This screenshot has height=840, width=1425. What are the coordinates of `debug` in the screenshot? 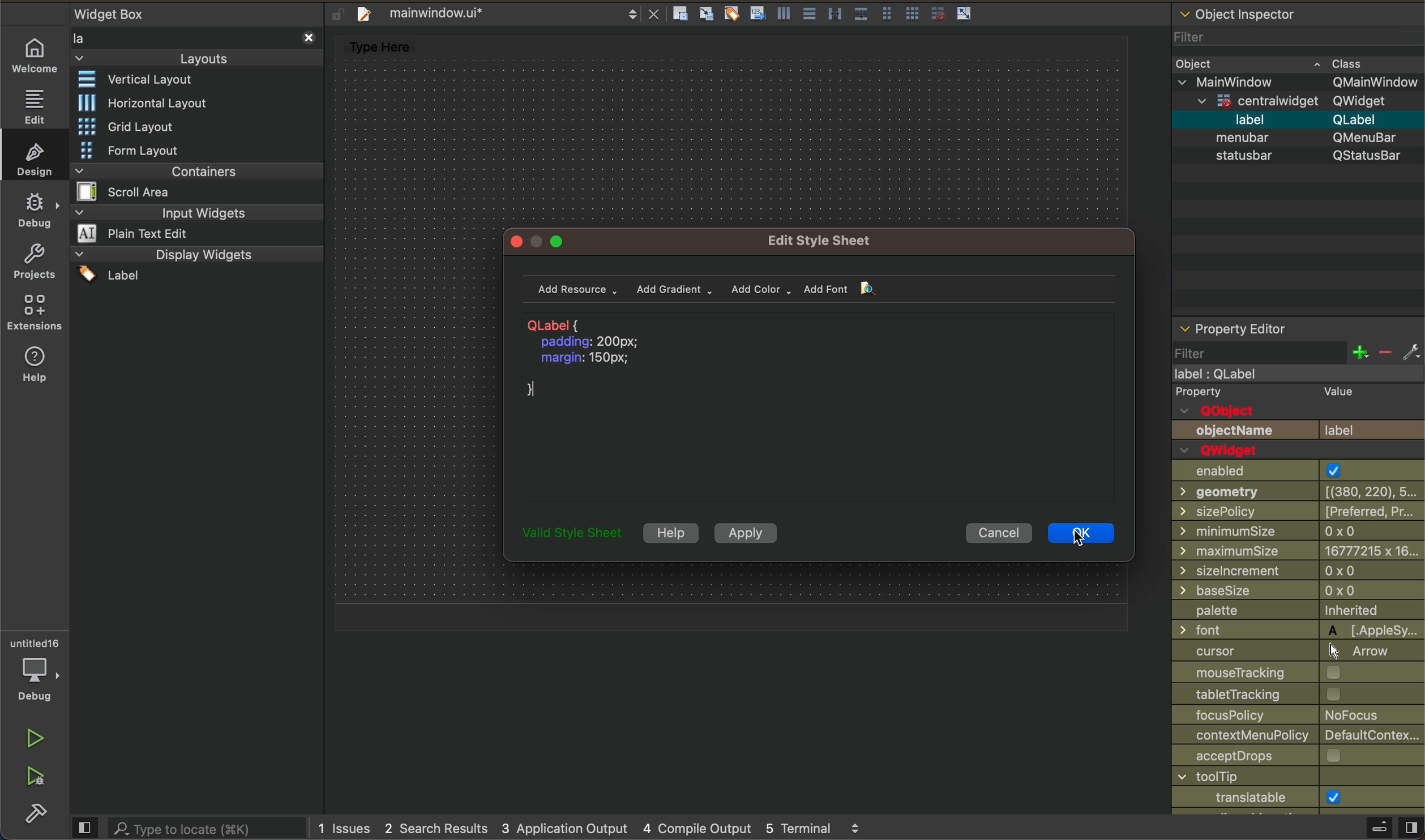 It's located at (38, 213).